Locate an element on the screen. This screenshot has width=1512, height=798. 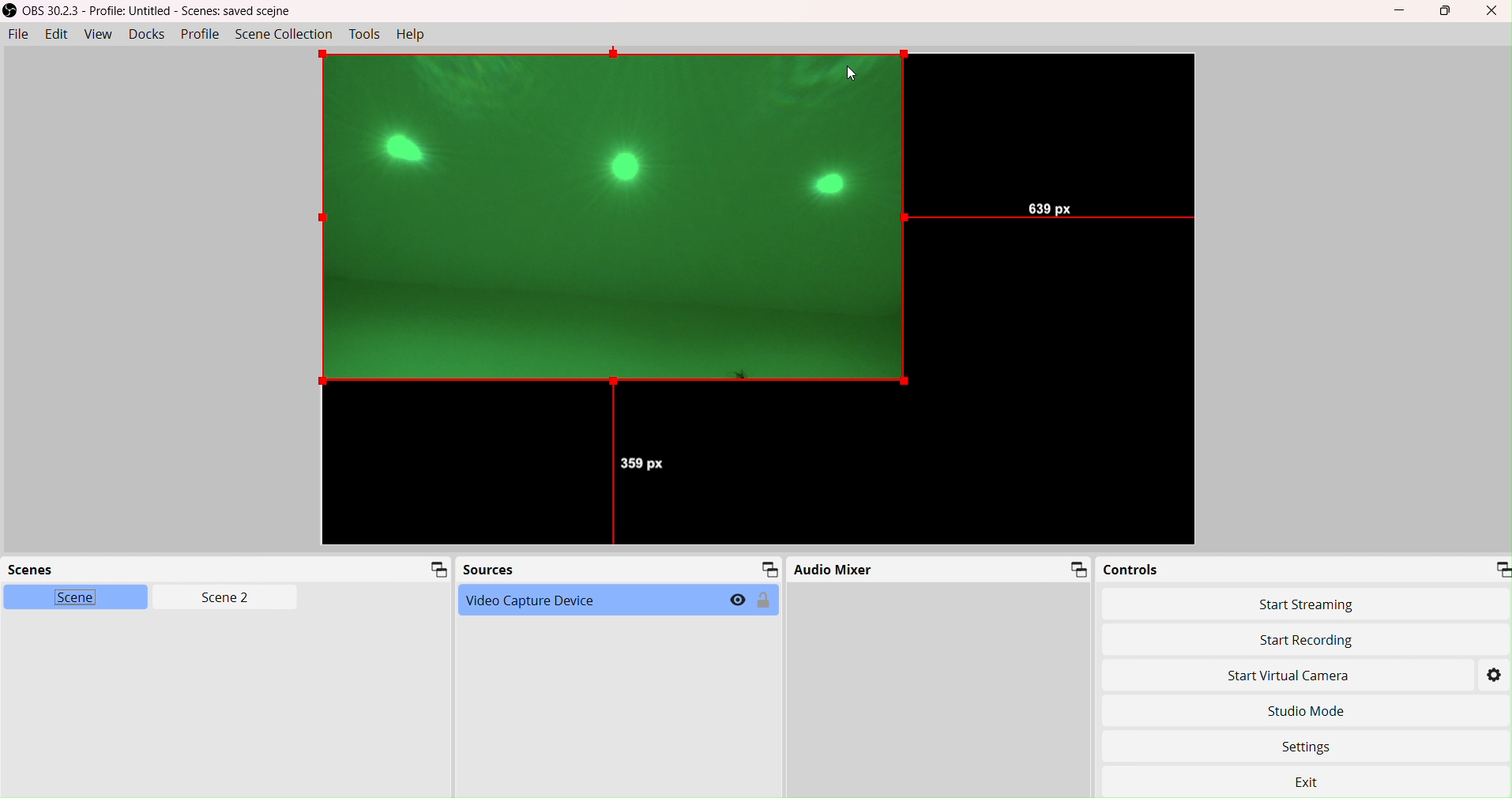
Start Streaming is located at coordinates (1307, 604).